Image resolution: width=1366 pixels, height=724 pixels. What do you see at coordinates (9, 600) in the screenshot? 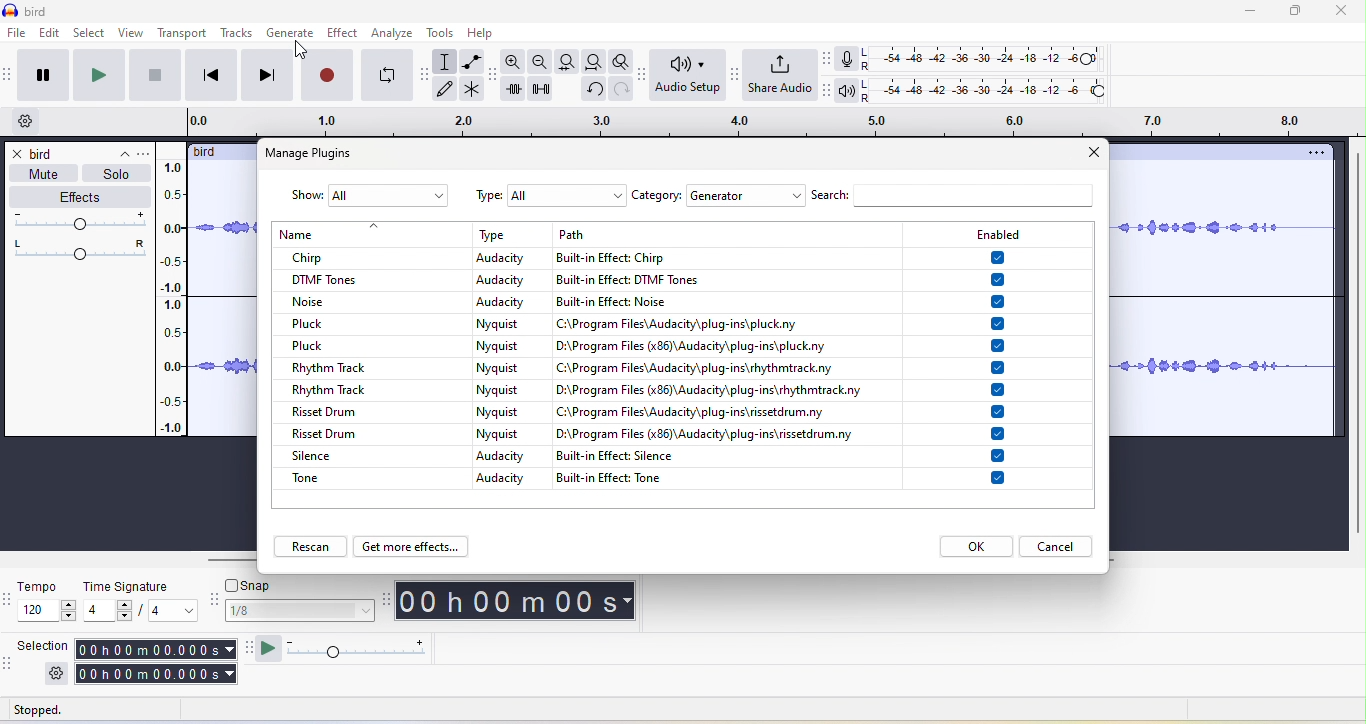
I see `audacity time signature toolbar` at bounding box center [9, 600].